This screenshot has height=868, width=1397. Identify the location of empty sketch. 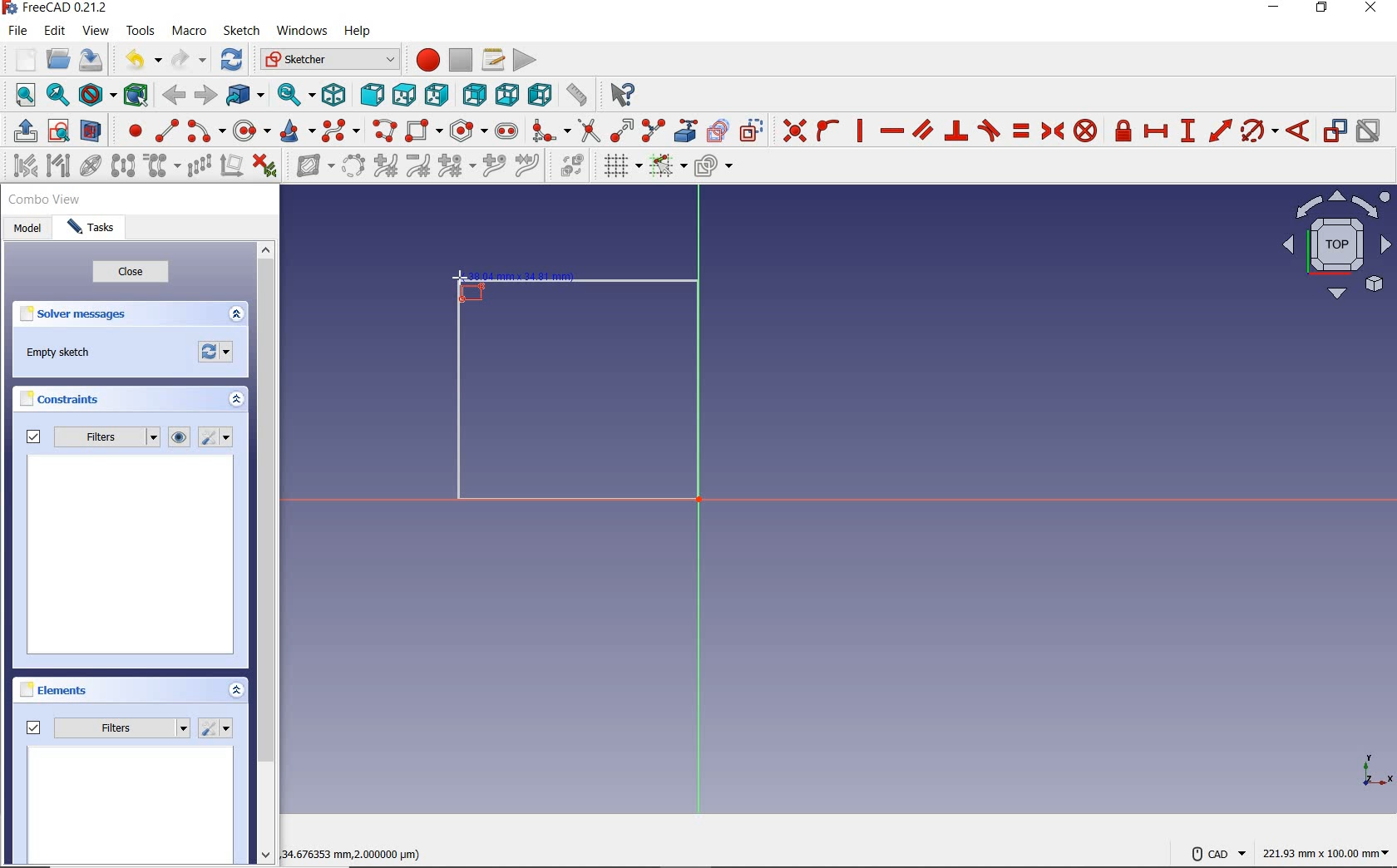
(62, 354).